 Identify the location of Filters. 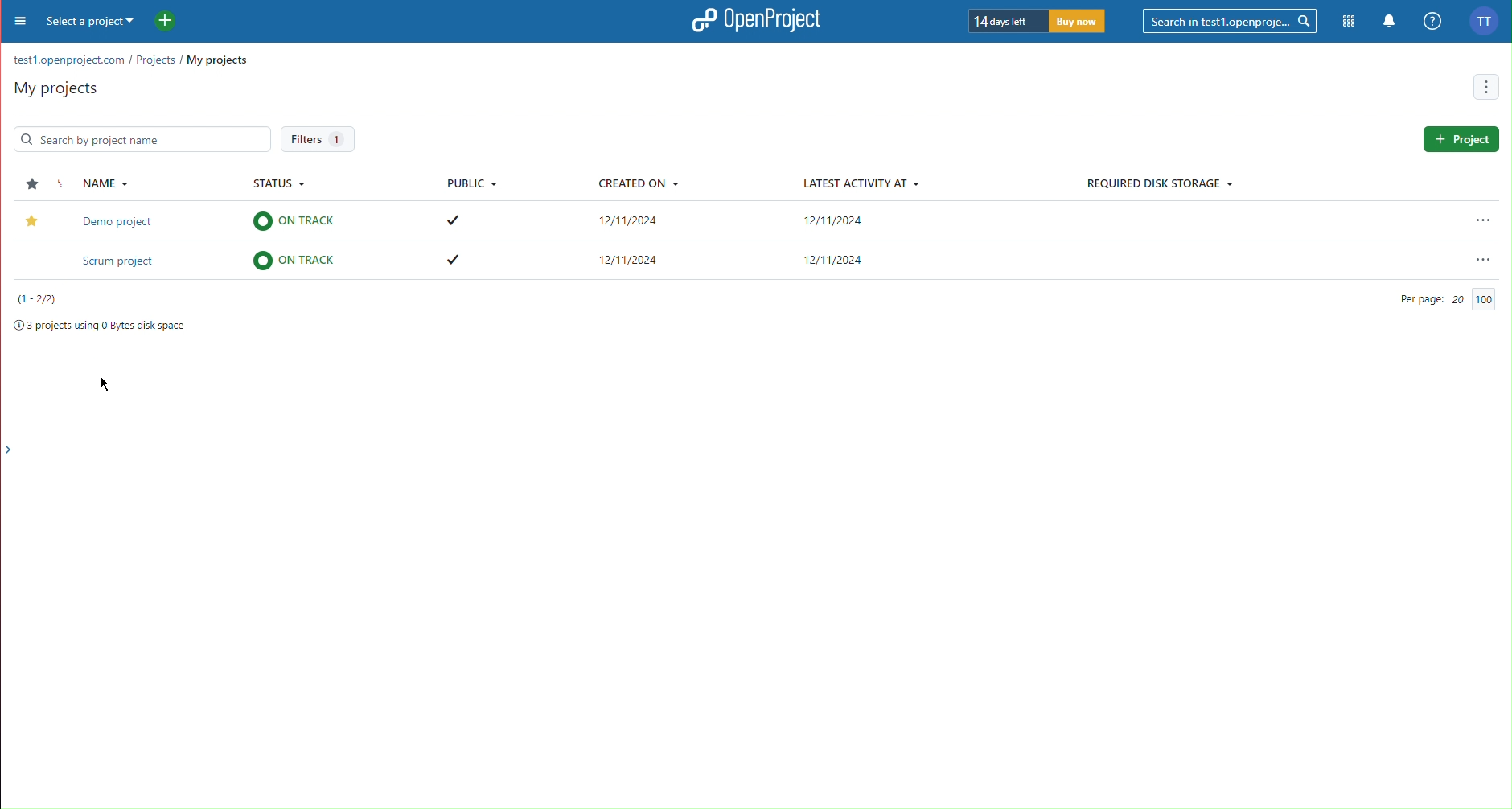
(318, 139).